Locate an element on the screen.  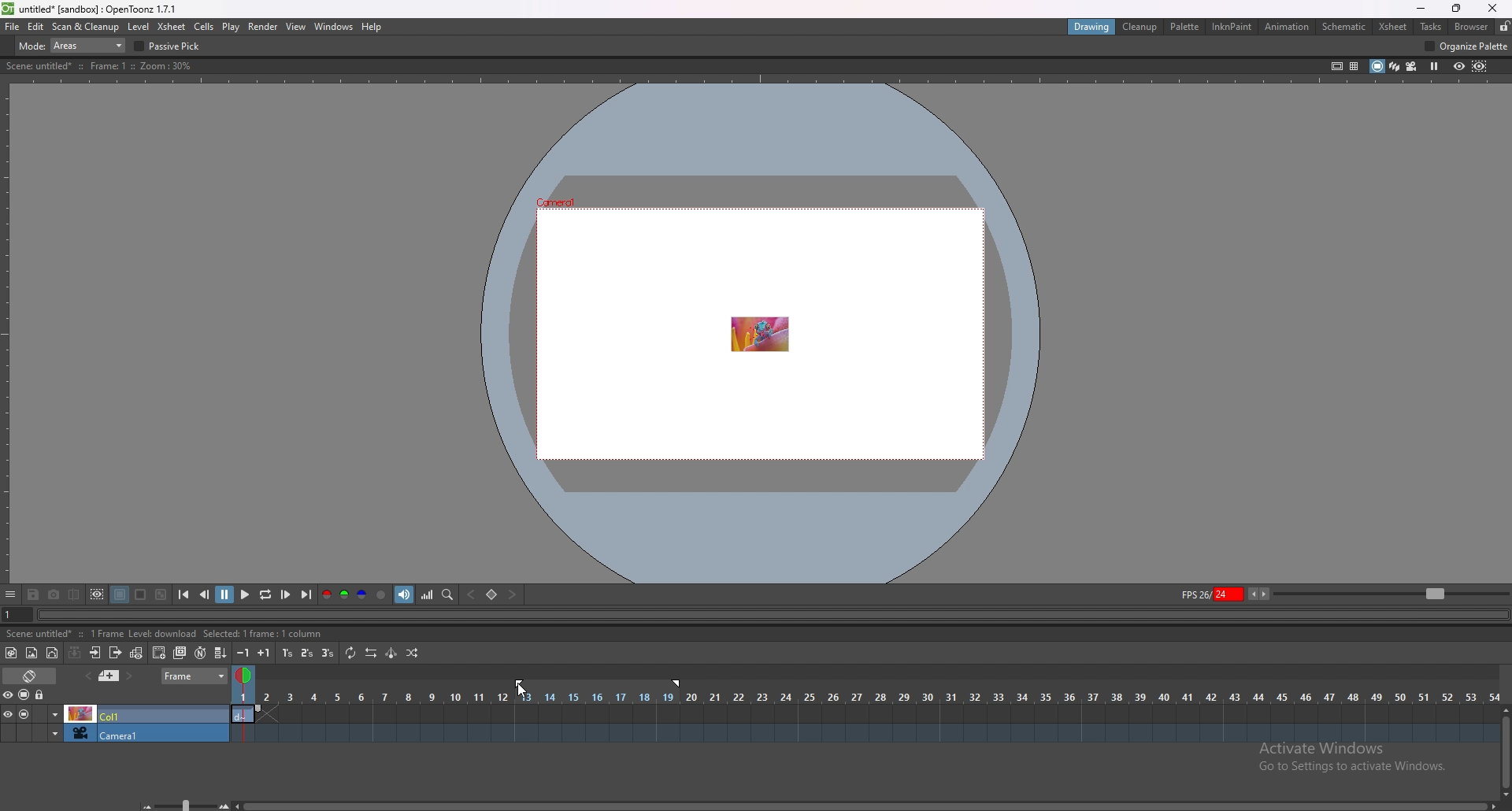
next memo is located at coordinates (129, 676).